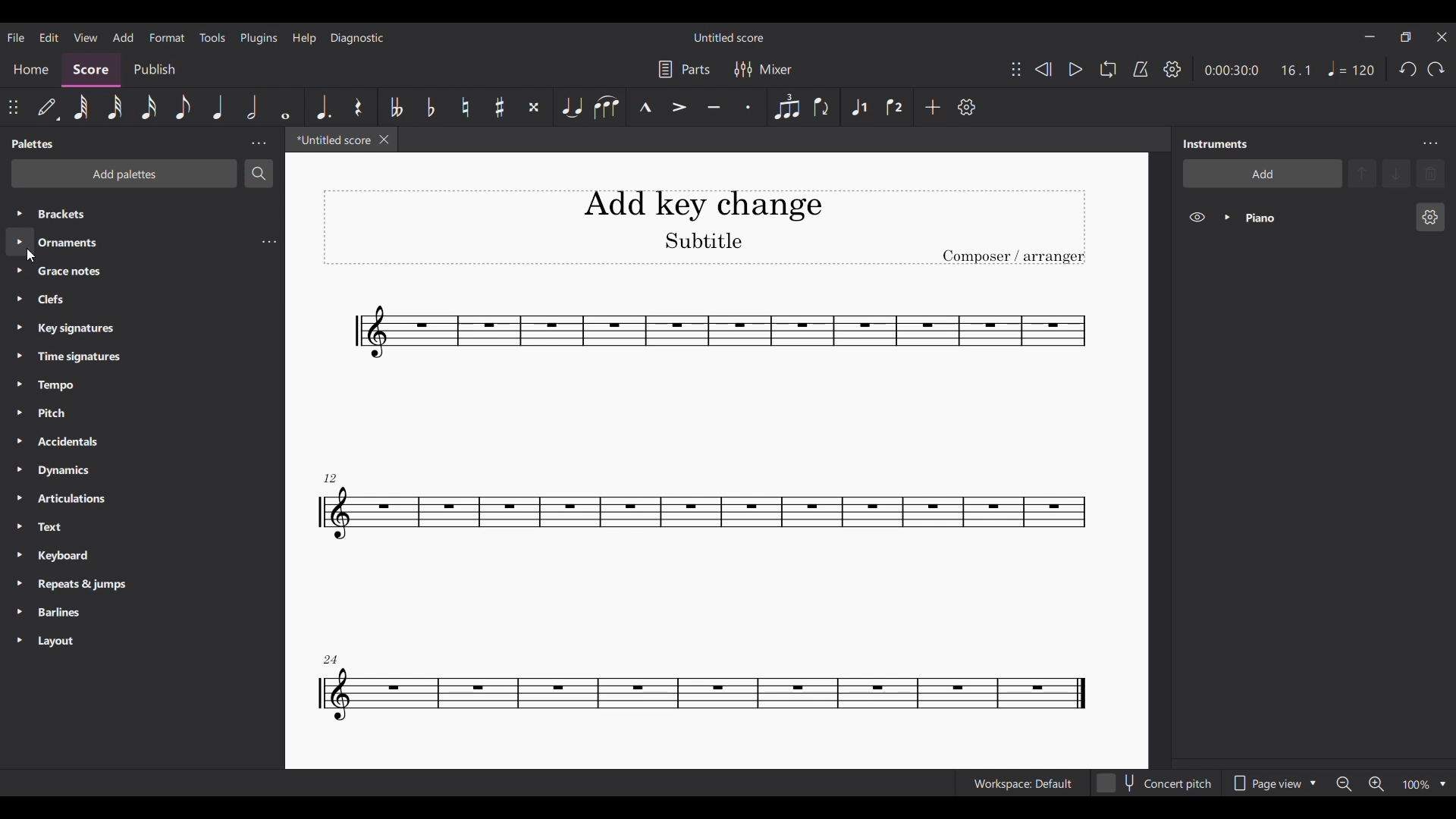  I want to click on Customize tools, so click(968, 107).